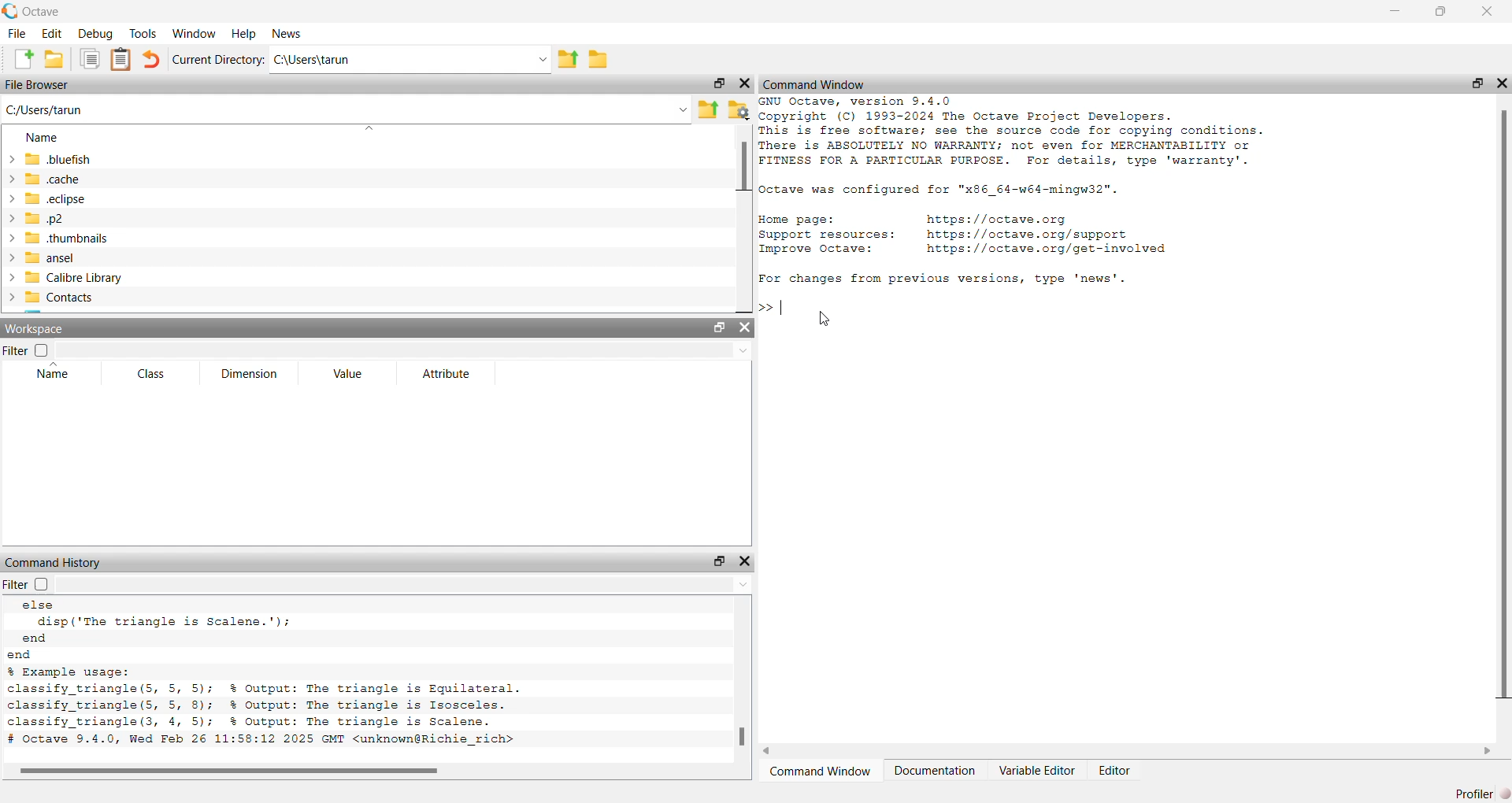 This screenshot has height=803, width=1512. Describe the element at coordinates (743, 737) in the screenshot. I see `scrollbar` at that location.